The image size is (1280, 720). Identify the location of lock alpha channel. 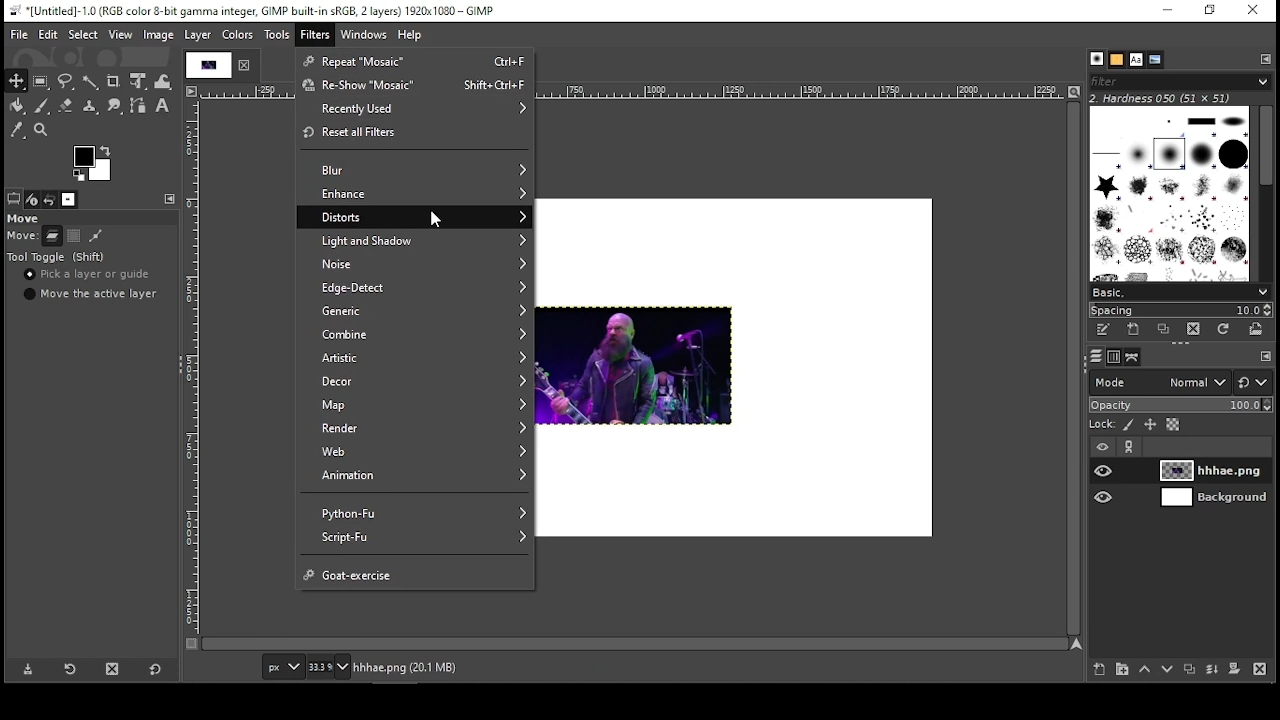
(1174, 425).